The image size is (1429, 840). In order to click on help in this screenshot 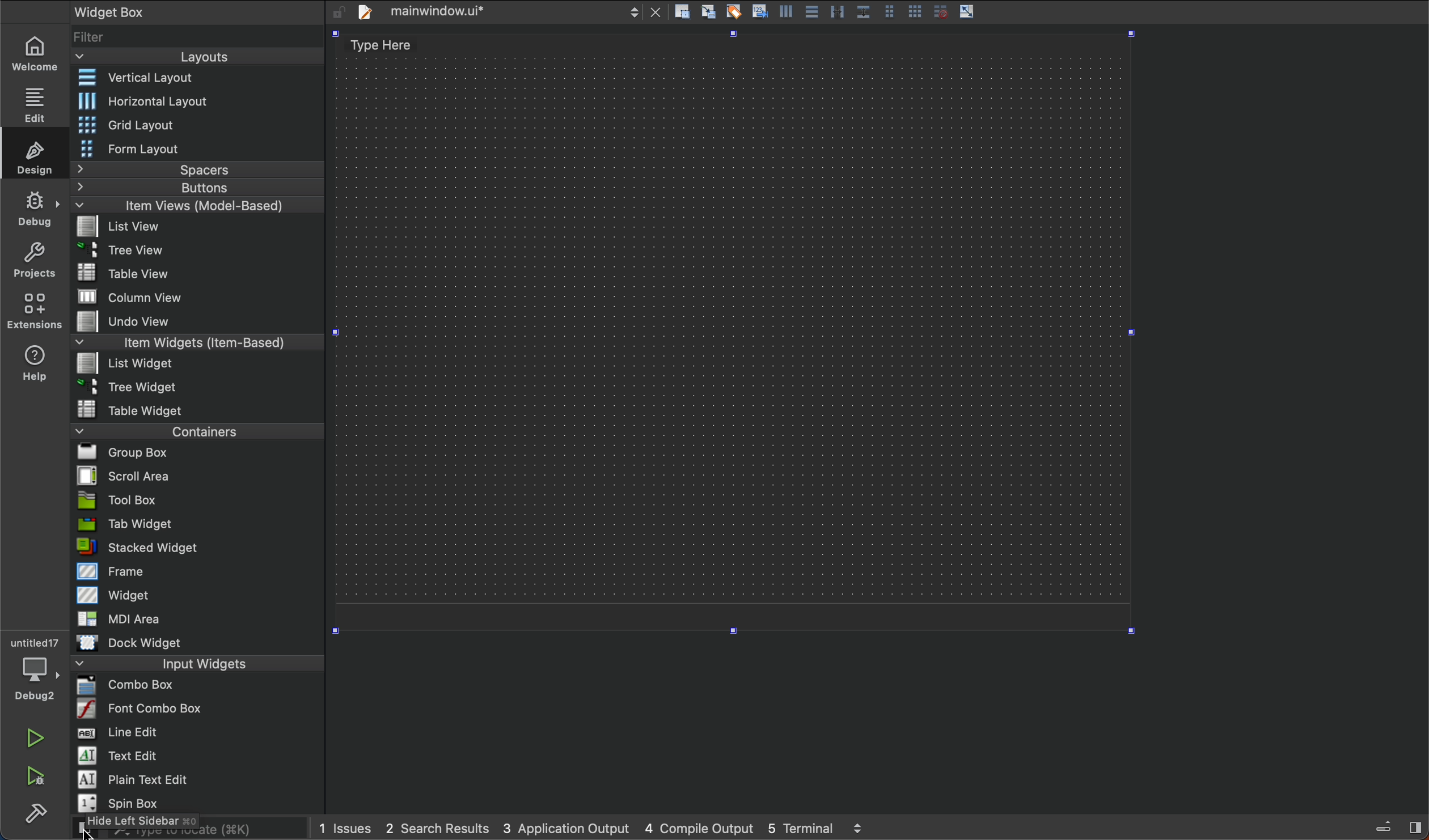, I will do `click(32, 366)`.